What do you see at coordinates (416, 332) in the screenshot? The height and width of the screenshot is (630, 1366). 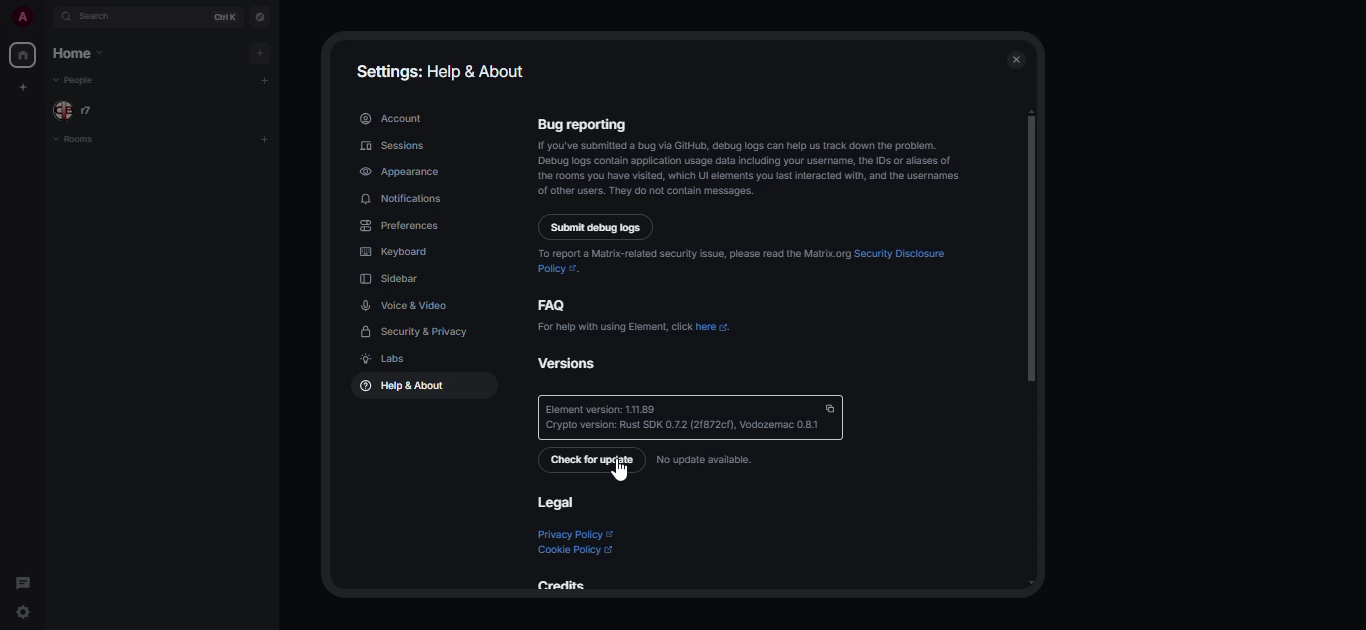 I see `security & privacy` at bounding box center [416, 332].